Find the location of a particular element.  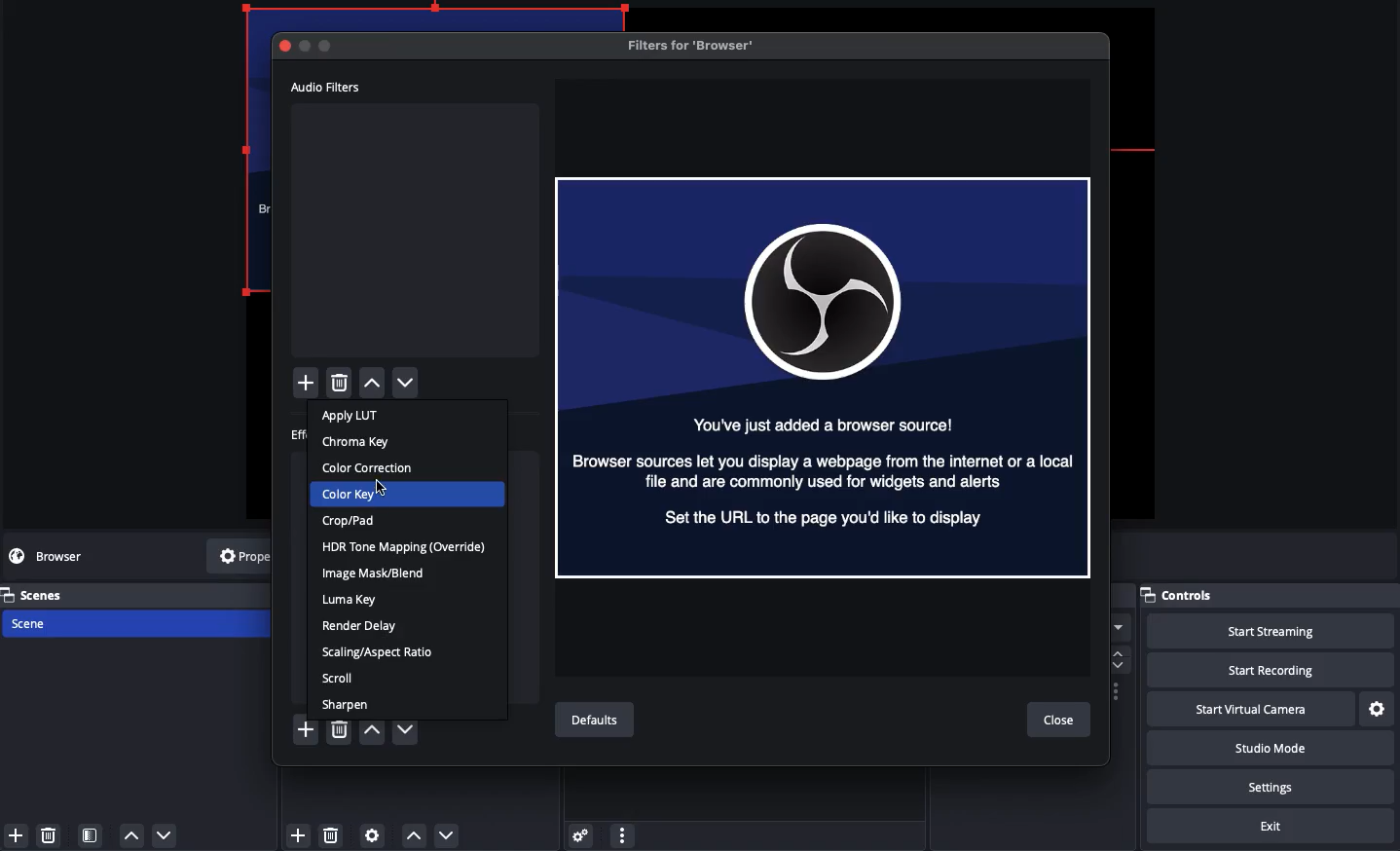

Button is located at coordinates (307, 47).